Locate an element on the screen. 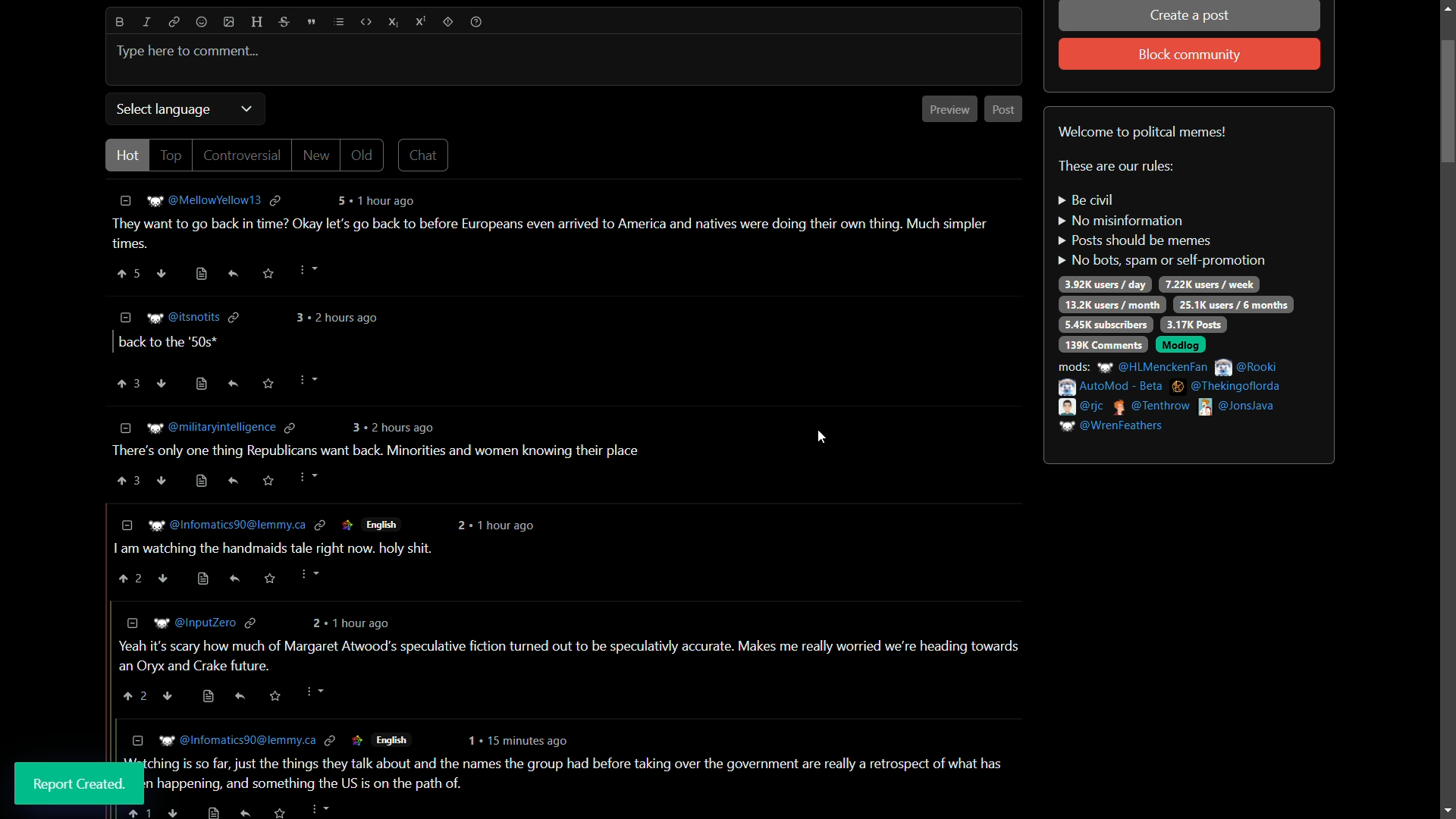  5.45k subscribers is located at coordinates (1106, 325).